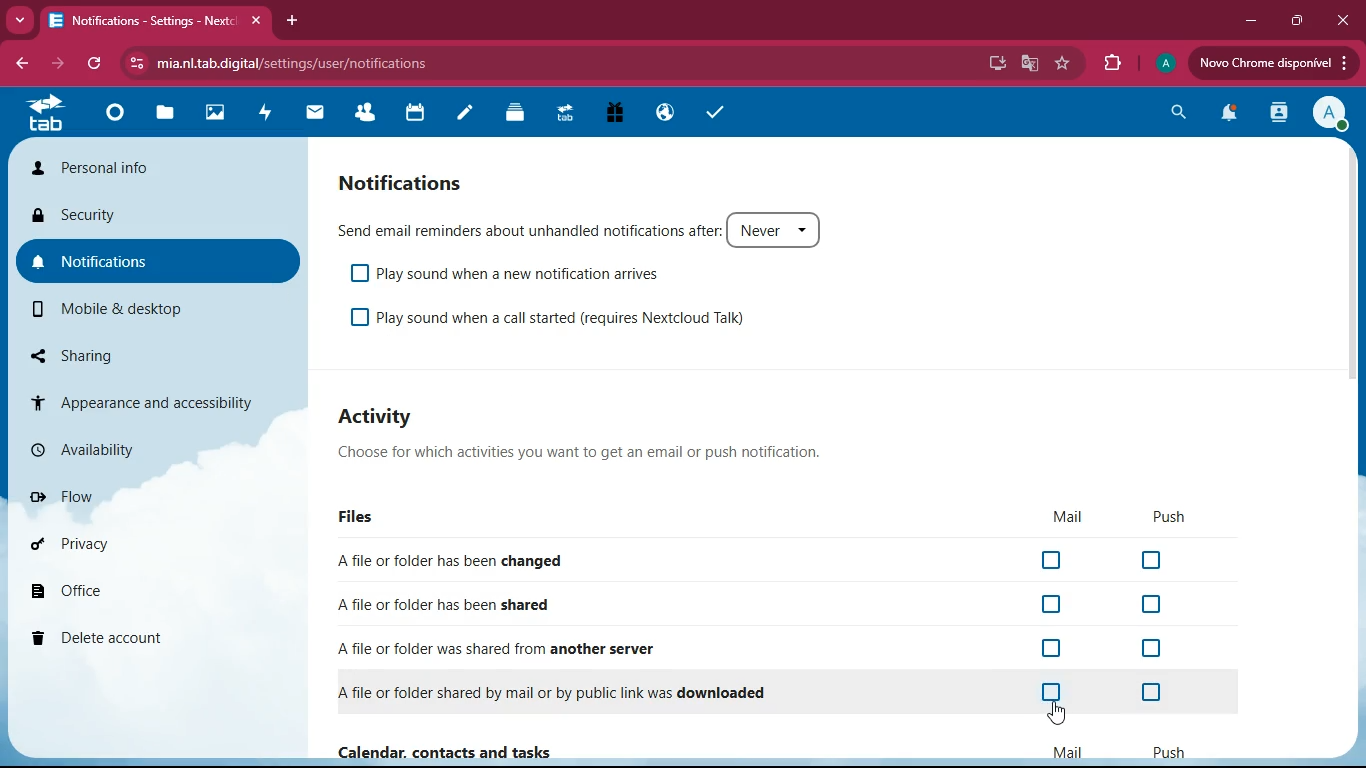  What do you see at coordinates (20, 19) in the screenshot?
I see `more` at bounding box center [20, 19].